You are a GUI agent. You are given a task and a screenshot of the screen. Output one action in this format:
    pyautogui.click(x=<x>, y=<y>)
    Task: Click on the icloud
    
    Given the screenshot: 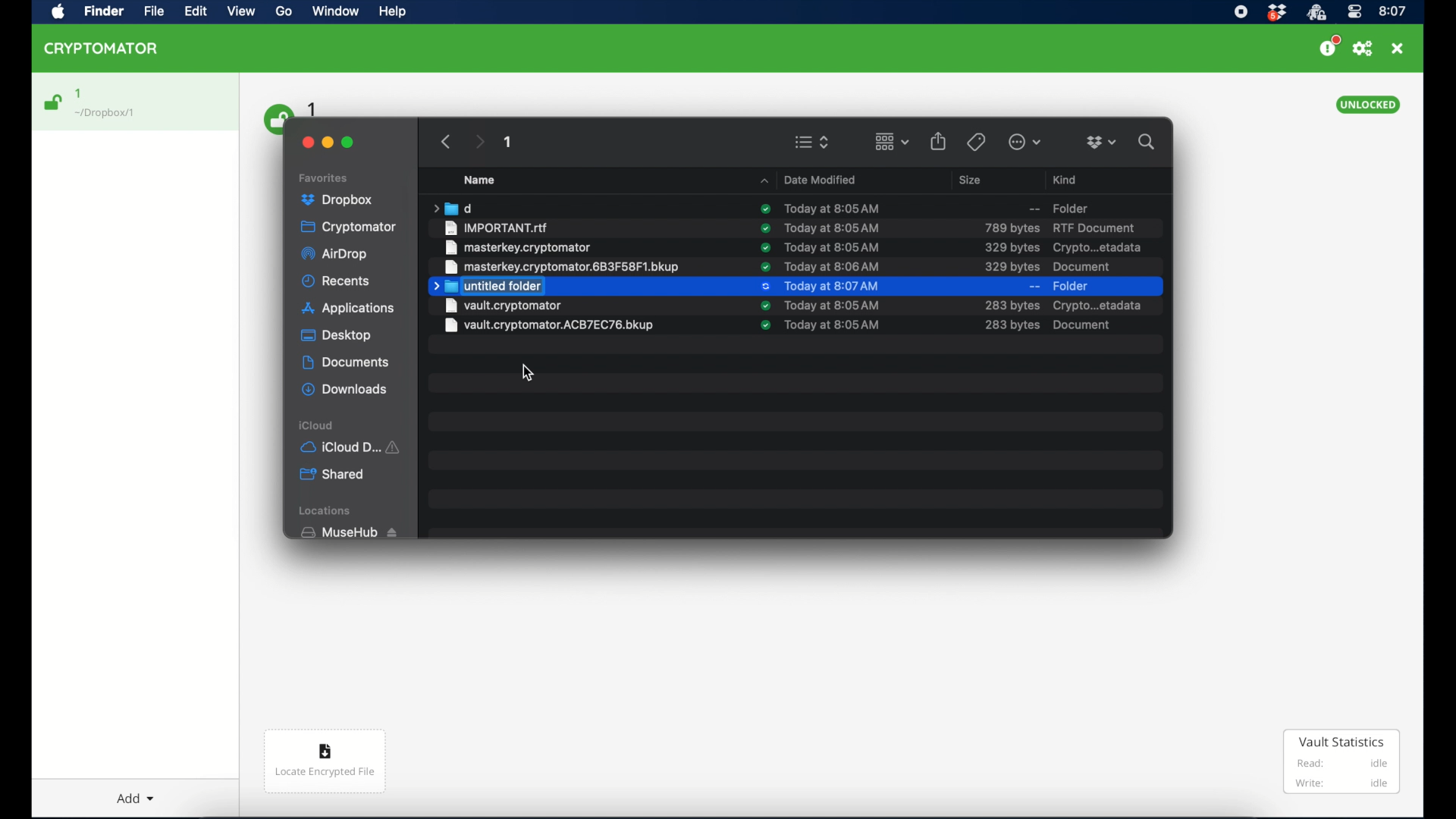 What is the action you would take?
    pyautogui.click(x=317, y=425)
    